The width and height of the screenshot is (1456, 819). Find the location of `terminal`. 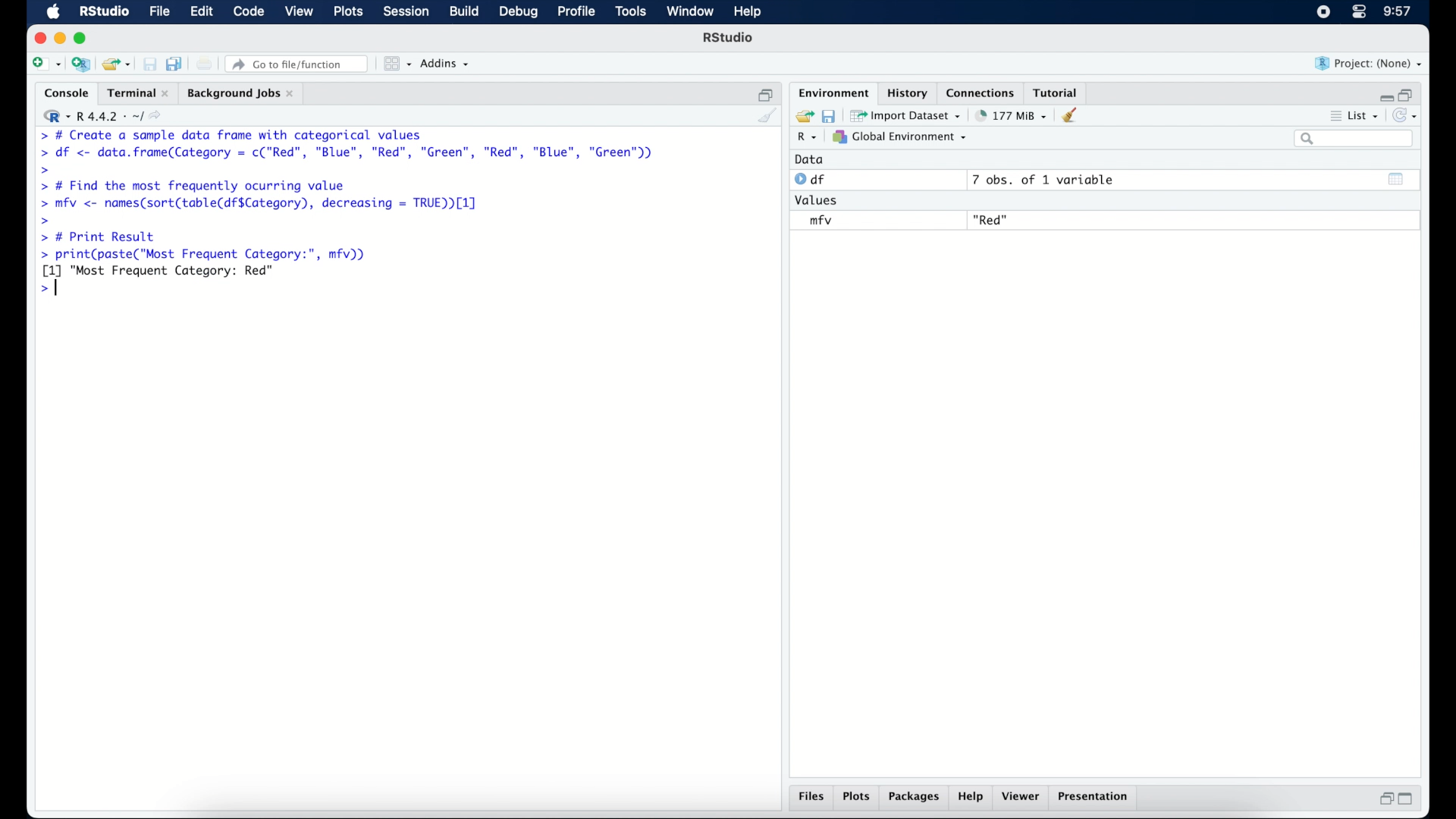

terminal is located at coordinates (136, 91).